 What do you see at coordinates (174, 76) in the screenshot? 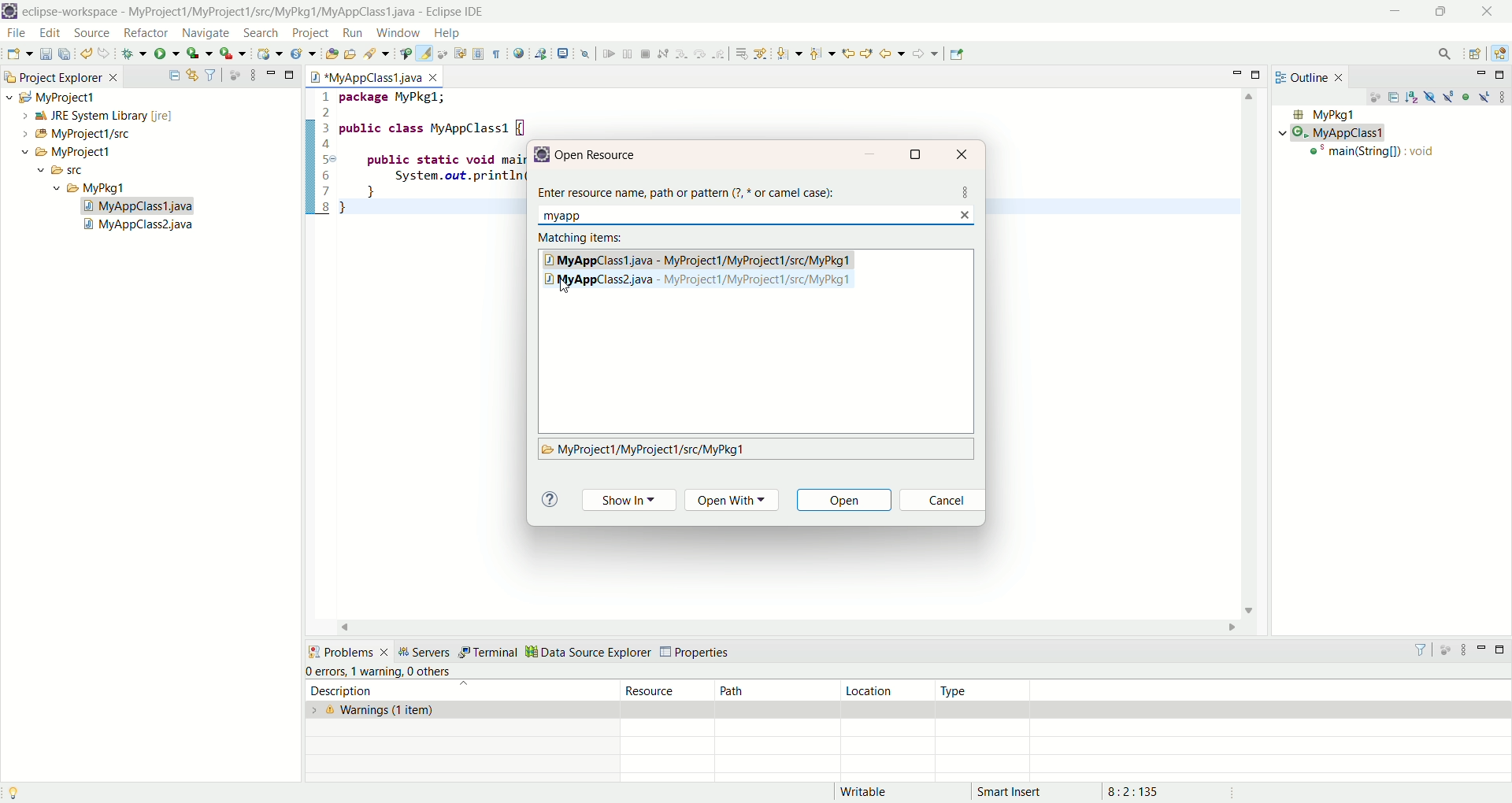
I see `collapse all` at bounding box center [174, 76].